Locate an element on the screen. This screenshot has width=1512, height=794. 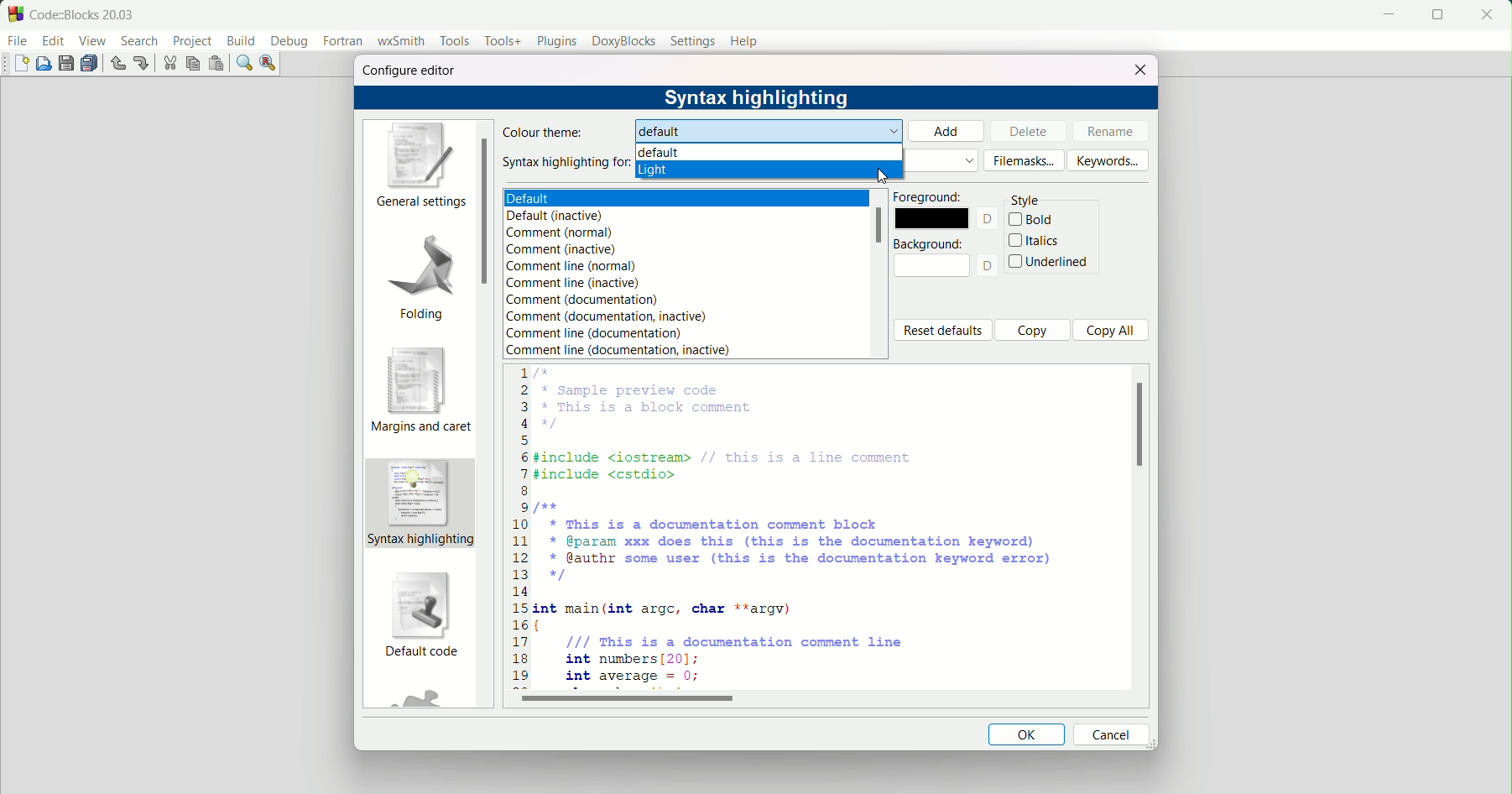
undo is located at coordinates (117, 64).